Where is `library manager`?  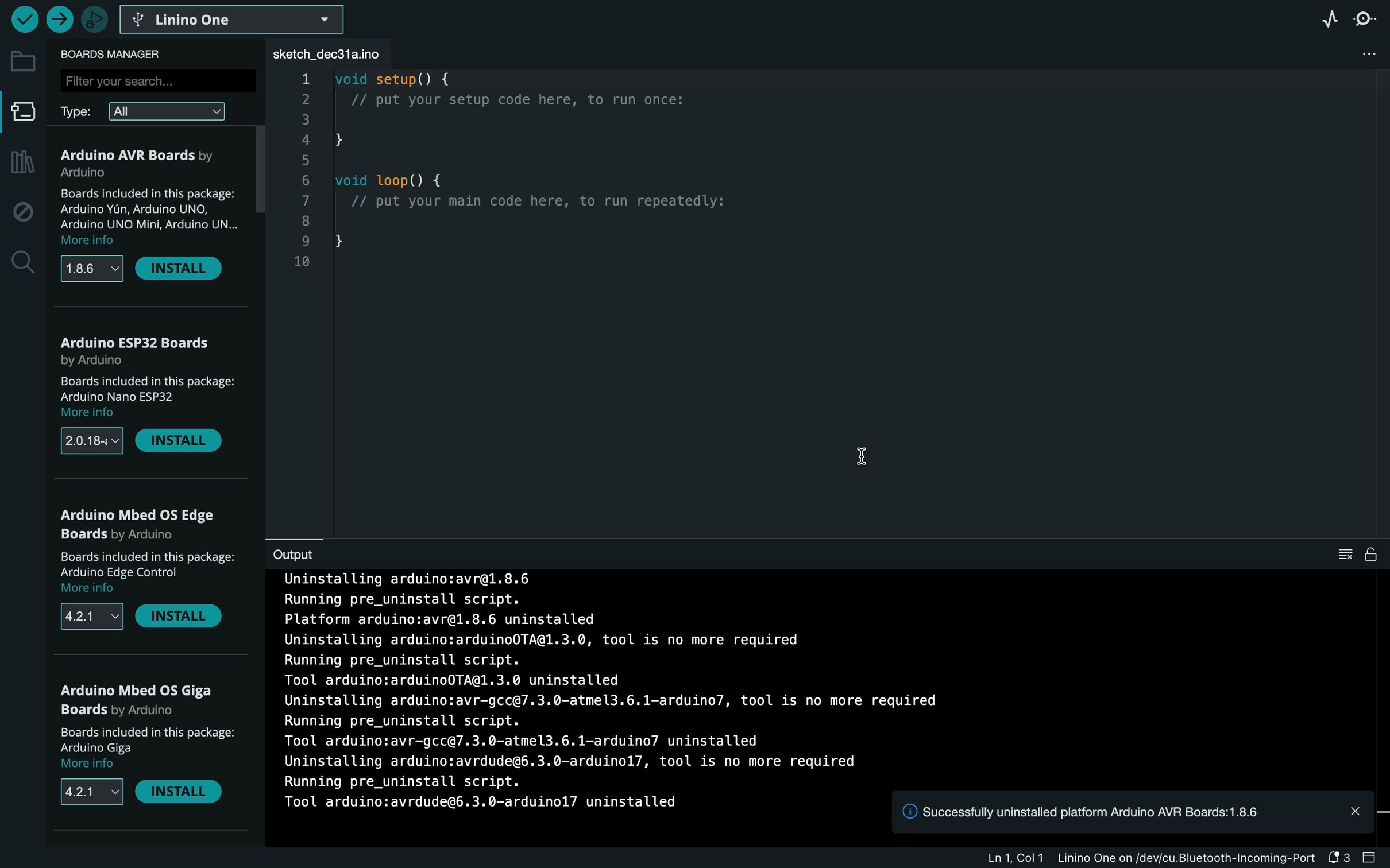
library manager is located at coordinates (22, 163).